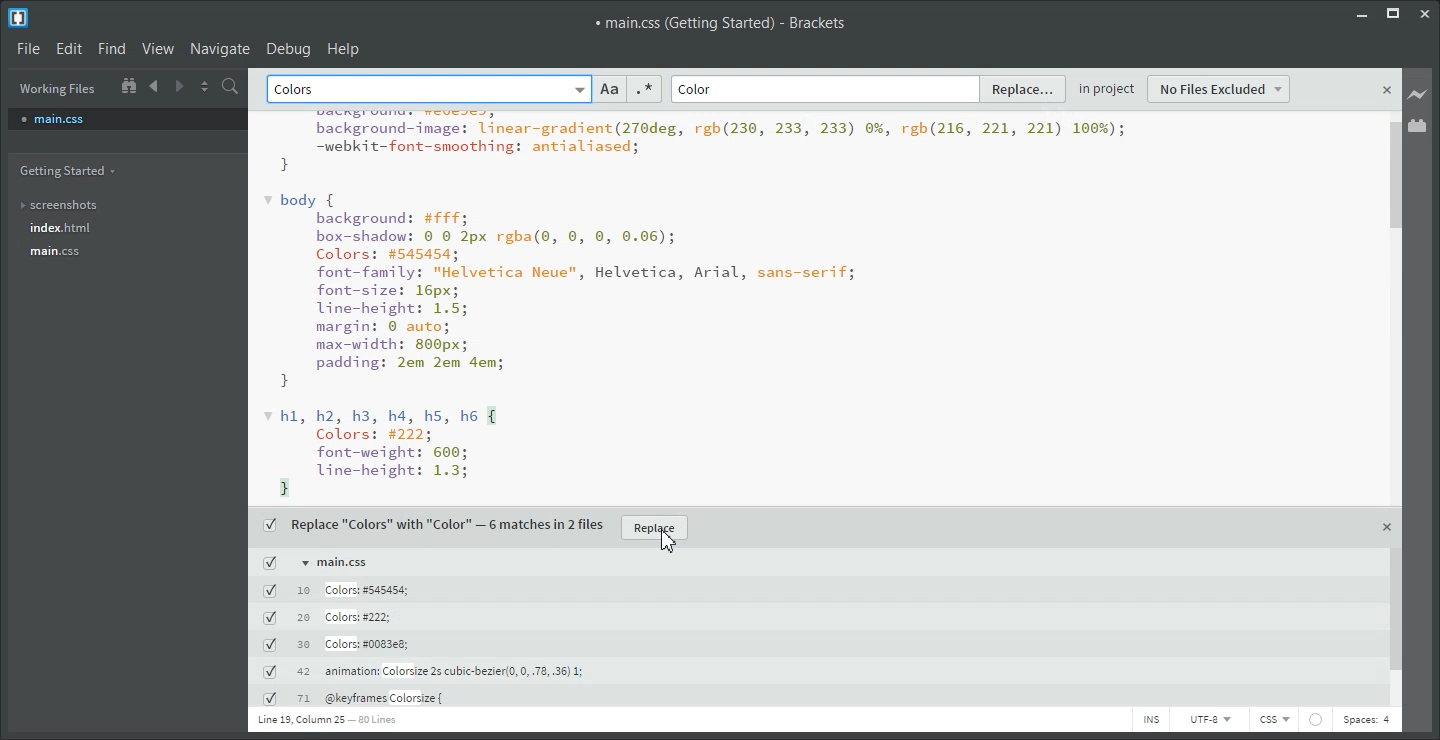 Image resolution: width=1440 pixels, height=740 pixels. What do you see at coordinates (1107, 90) in the screenshot?
I see `in project` at bounding box center [1107, 90].